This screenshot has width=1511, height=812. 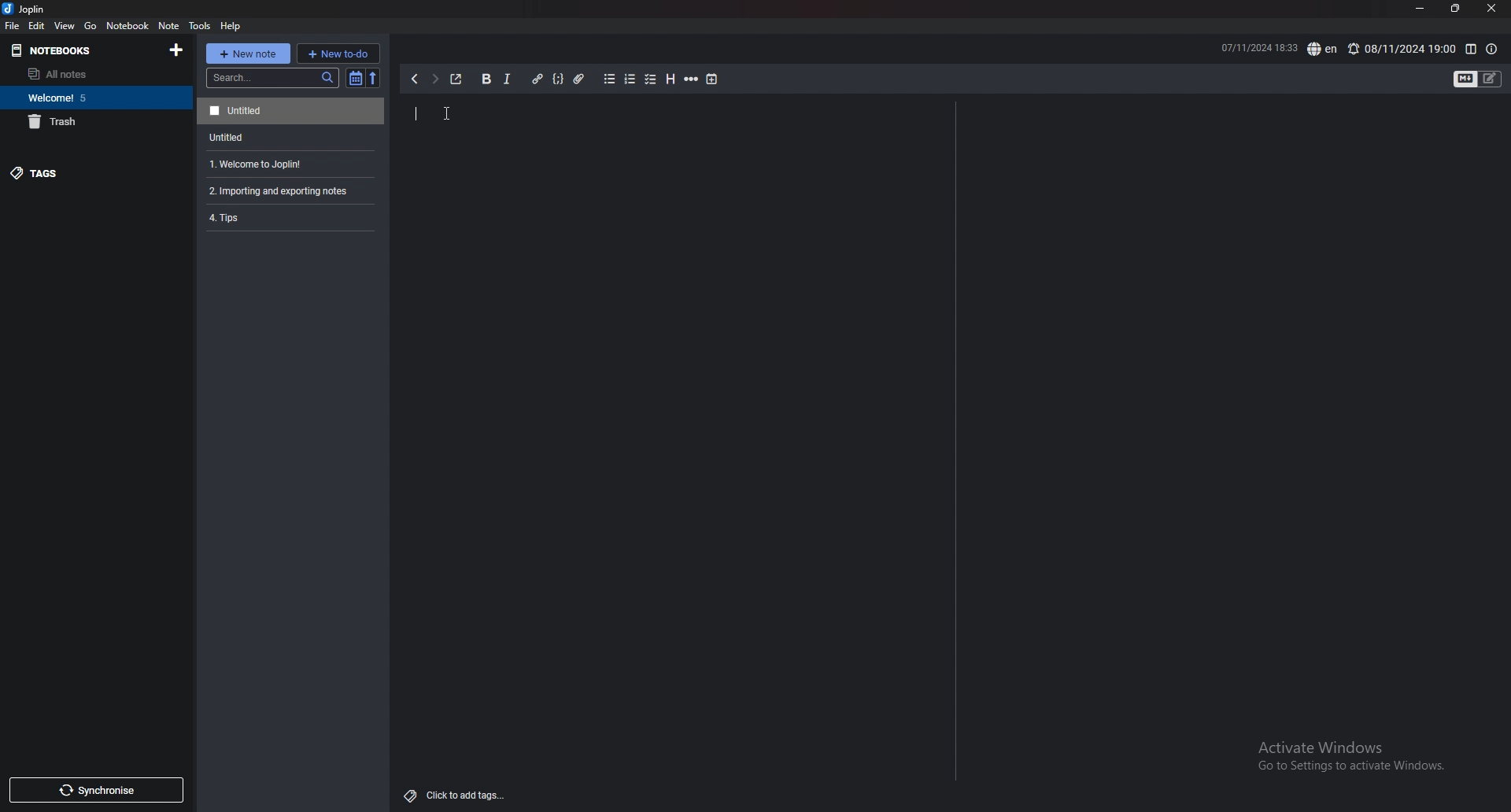 I want to click on new note, so click(x=247, y=54).